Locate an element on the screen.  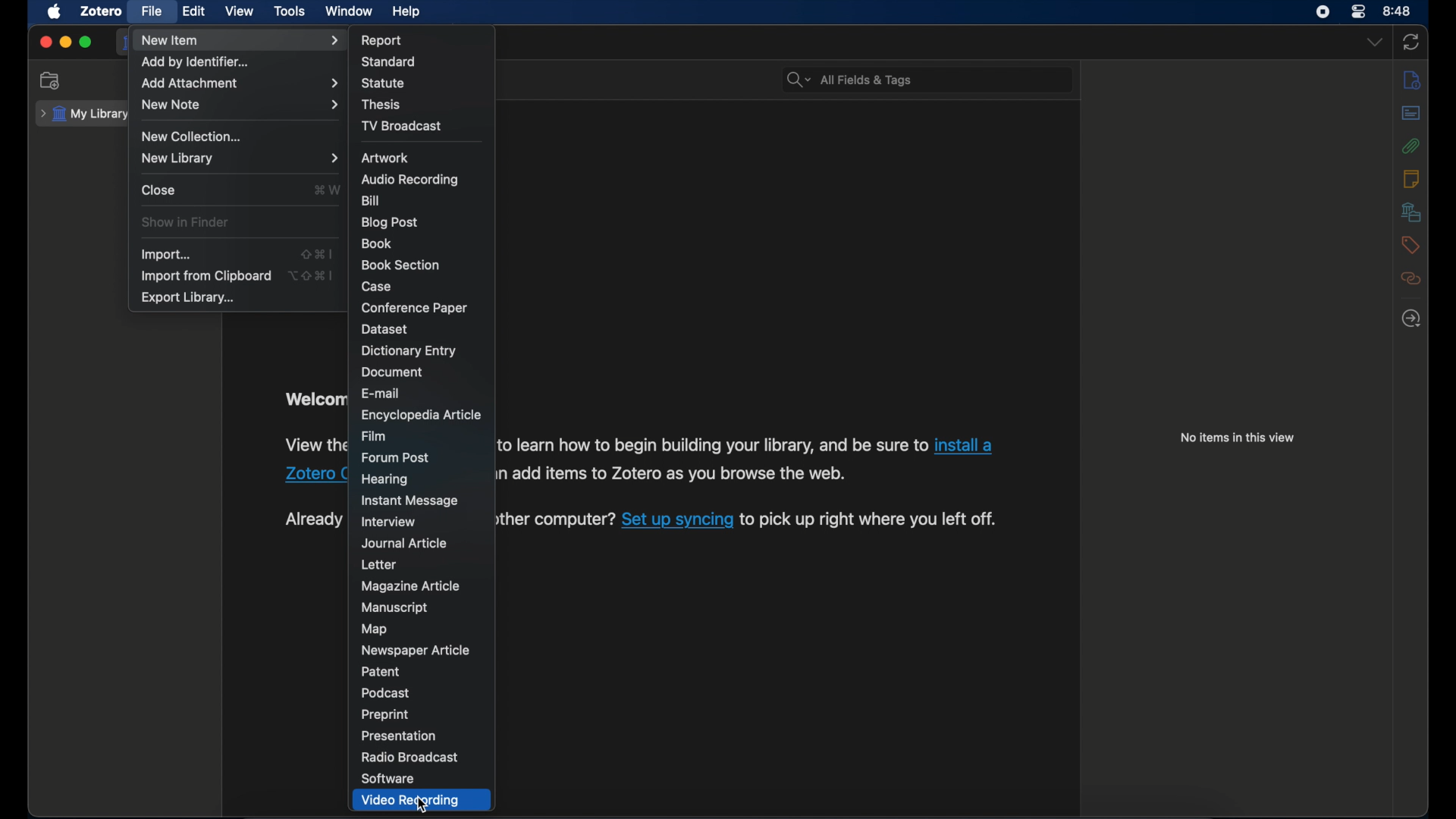
tv broadcast is located at coordinates (402, 125).